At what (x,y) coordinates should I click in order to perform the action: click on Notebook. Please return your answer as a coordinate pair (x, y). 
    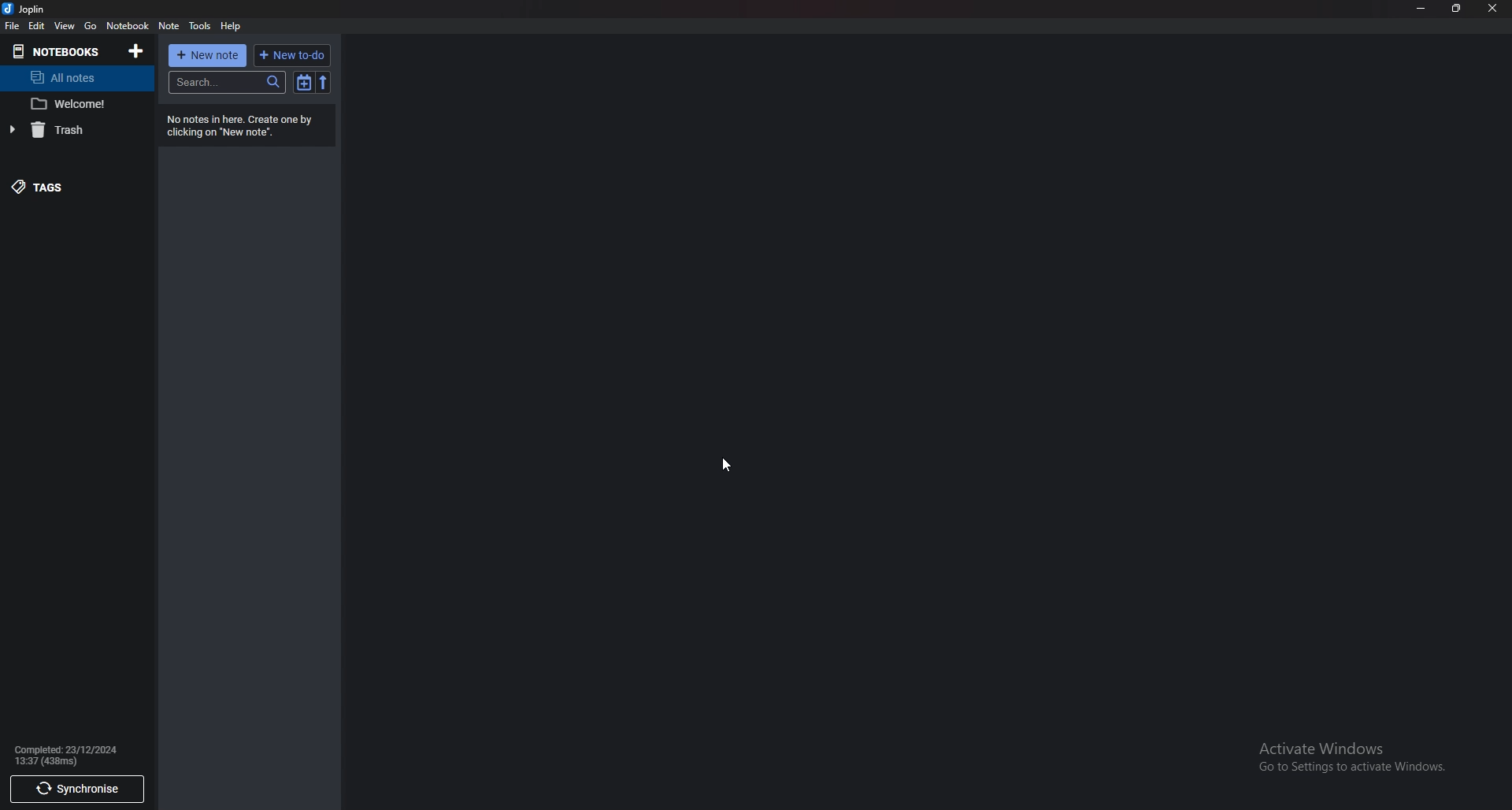
    Looking at the image, I should click on (127, 27).